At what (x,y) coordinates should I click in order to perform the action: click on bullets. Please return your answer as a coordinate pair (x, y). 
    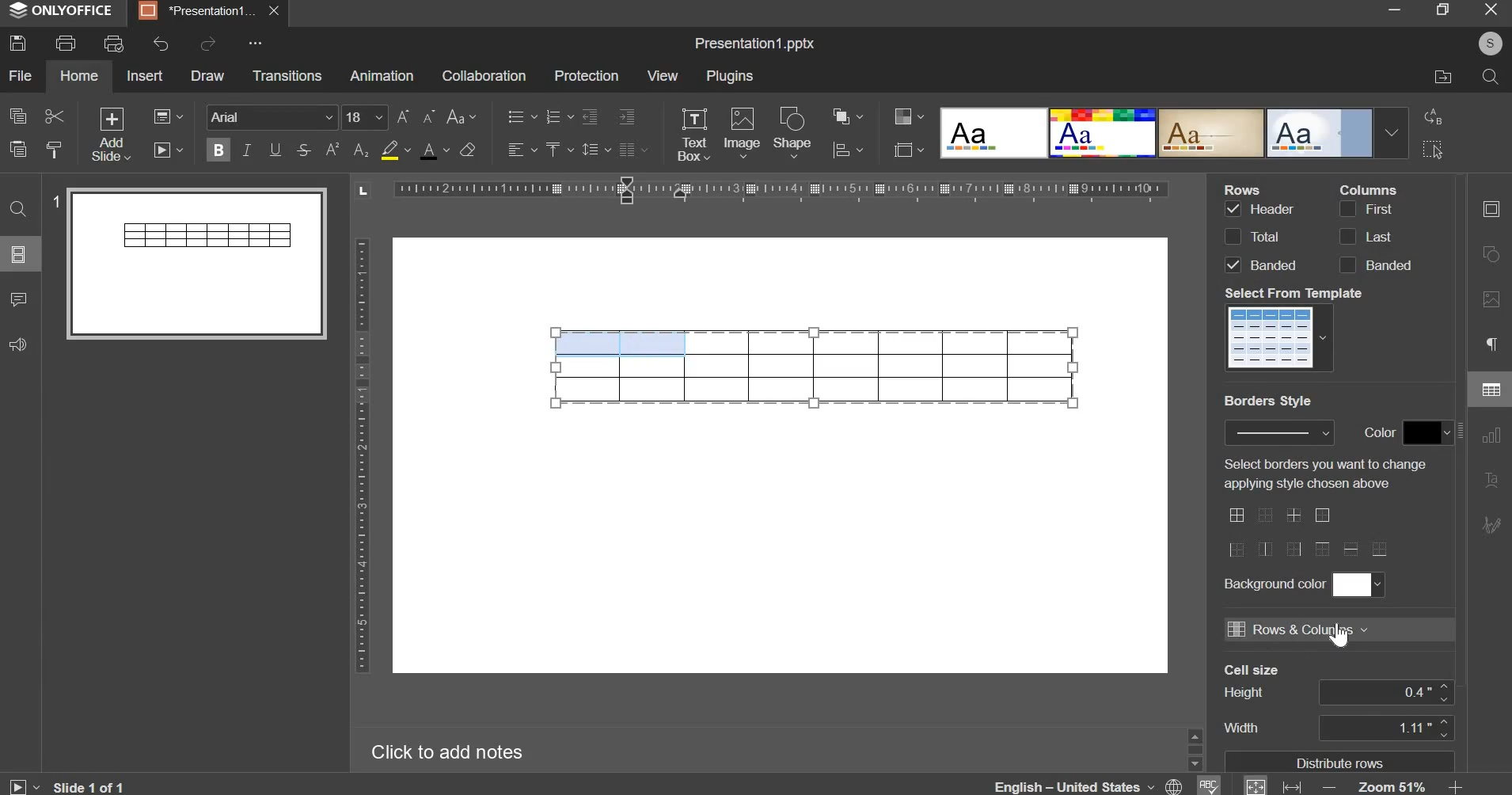
    Looking at the image, I should click on (521, 116).